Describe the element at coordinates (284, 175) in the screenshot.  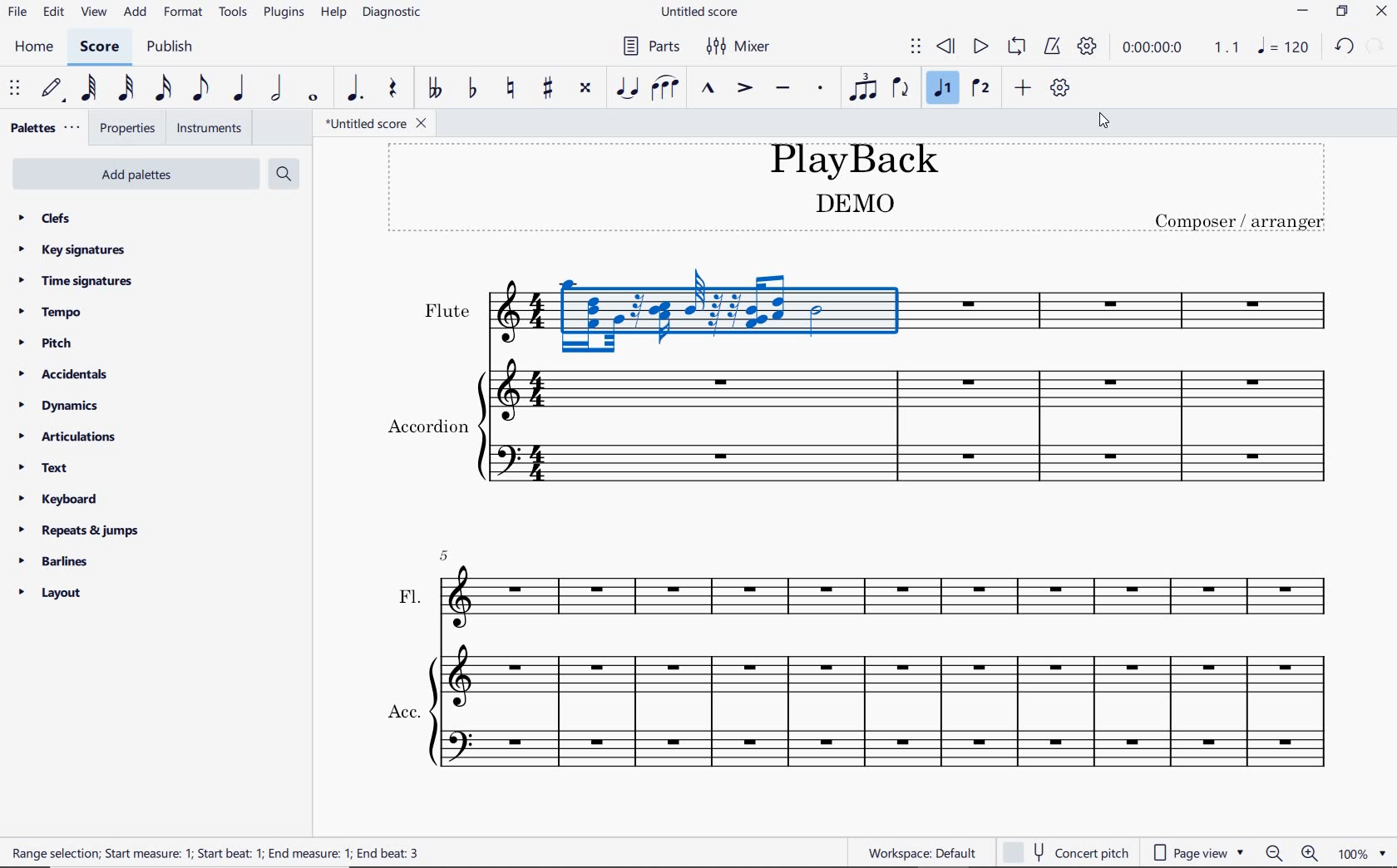
I see `search palettes` at that location.